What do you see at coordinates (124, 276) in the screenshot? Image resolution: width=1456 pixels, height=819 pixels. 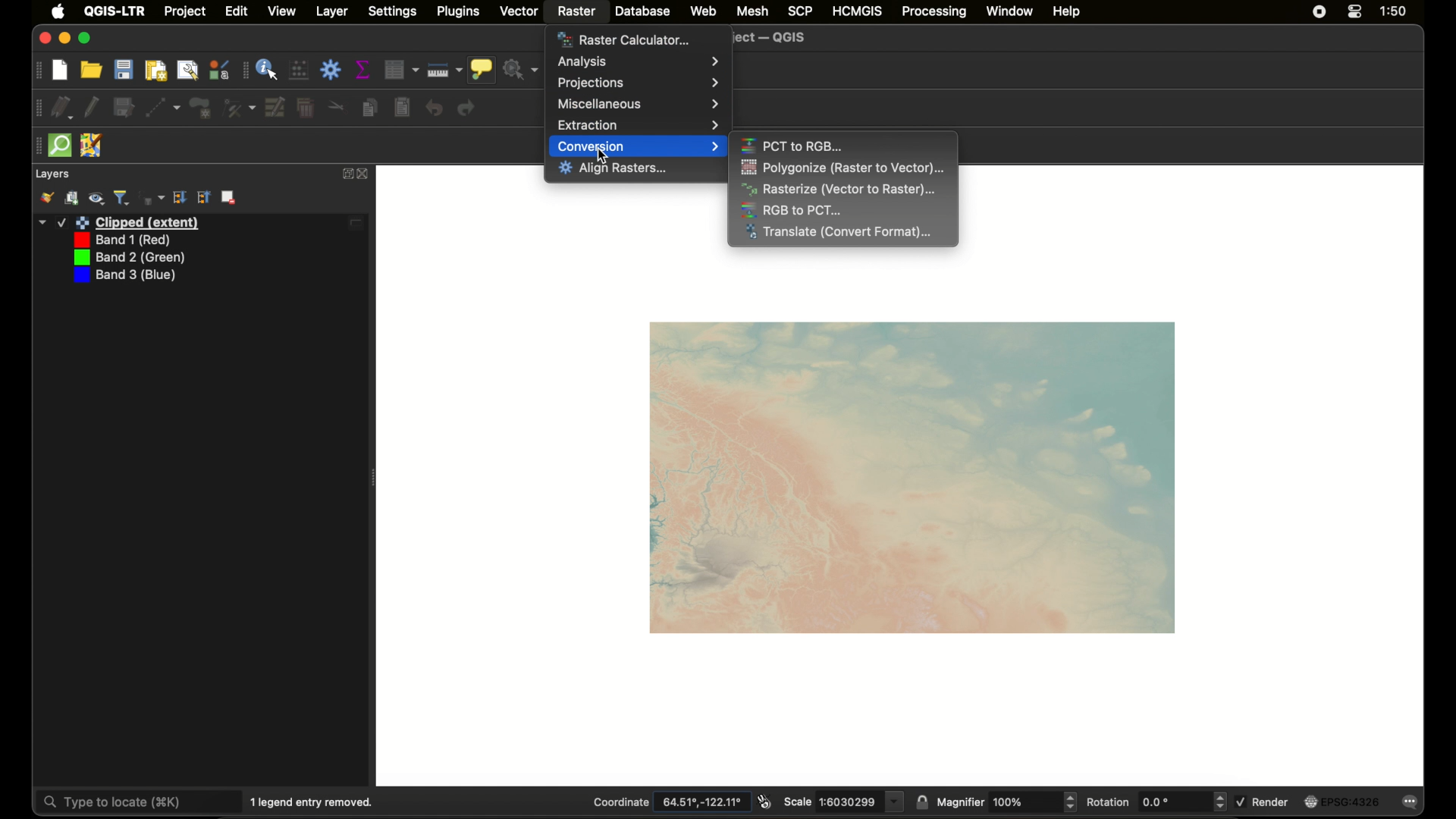 I see `band 3` at bounding box center [124, 276].